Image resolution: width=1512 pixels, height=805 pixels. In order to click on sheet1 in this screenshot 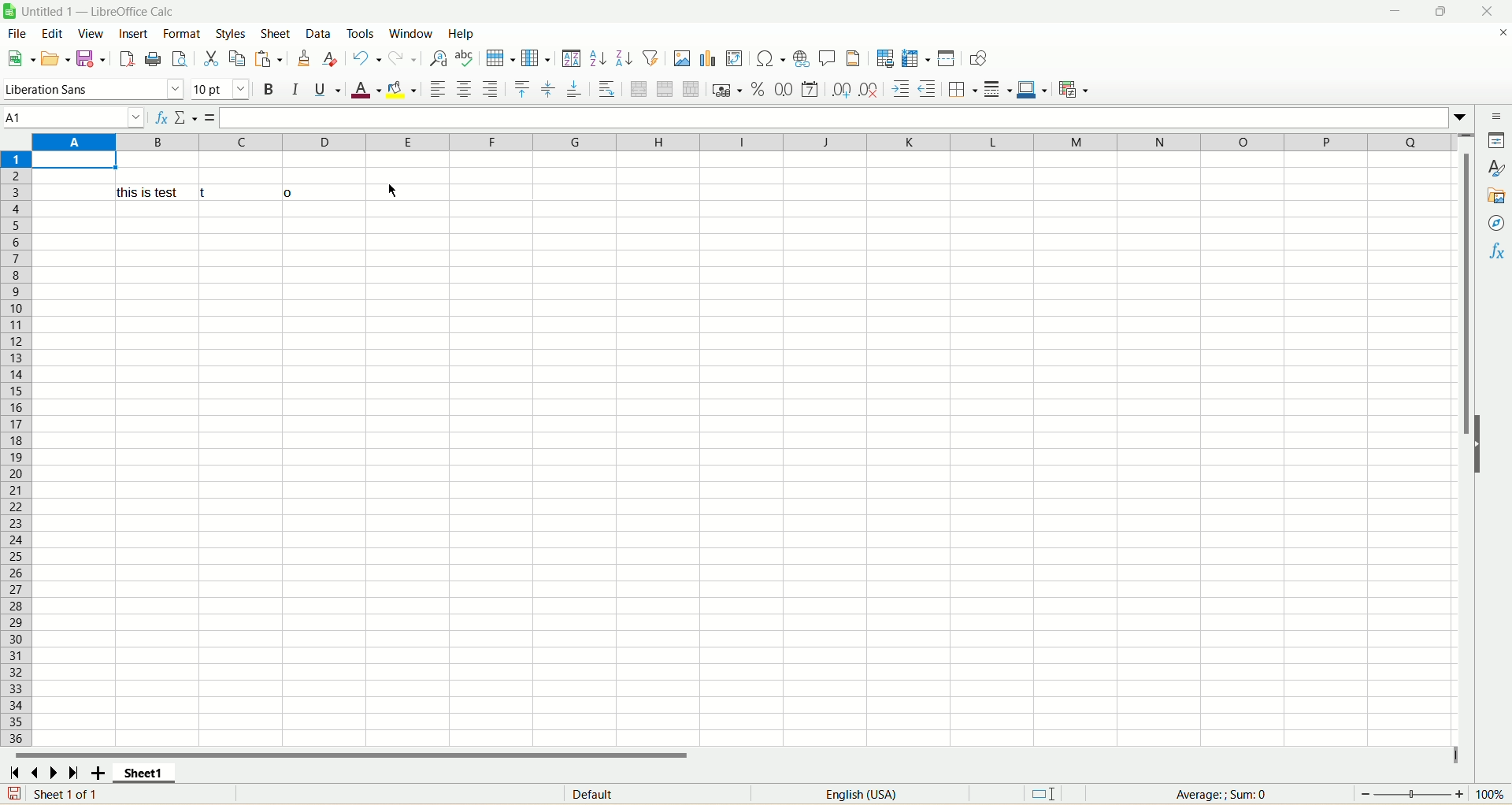, I will do `click(157, 770)`.